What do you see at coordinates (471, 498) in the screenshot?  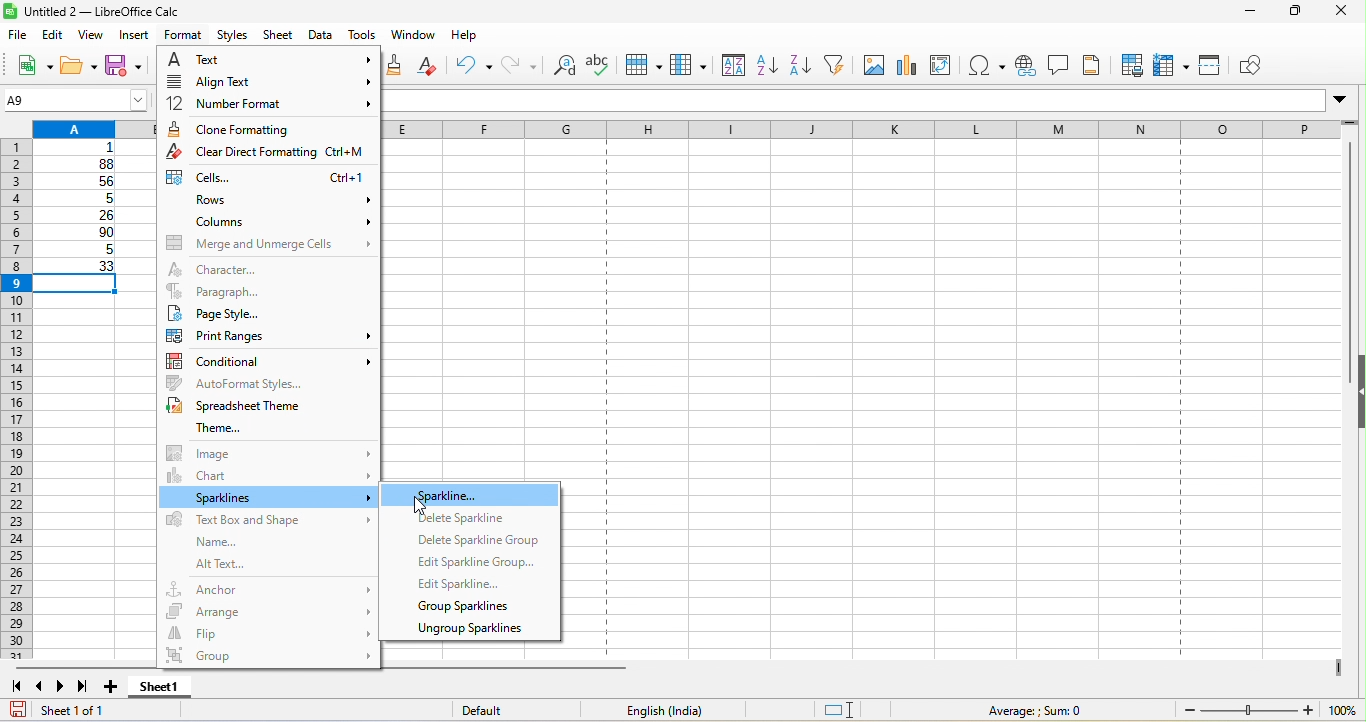 I see `select option` at bounding box center [471, 498].